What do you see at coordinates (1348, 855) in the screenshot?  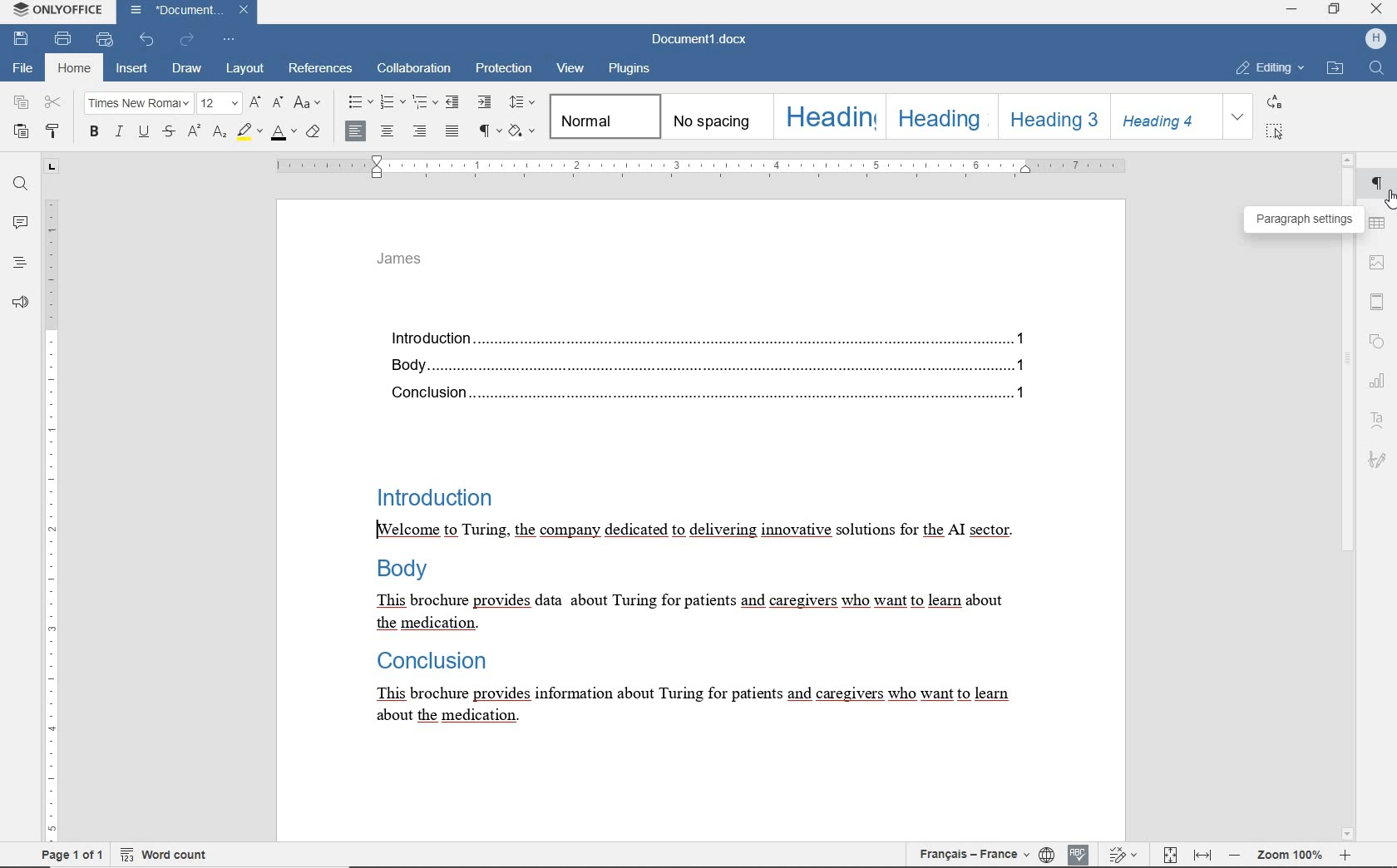 I see `zoom in` at bounding box center [1348, 855].